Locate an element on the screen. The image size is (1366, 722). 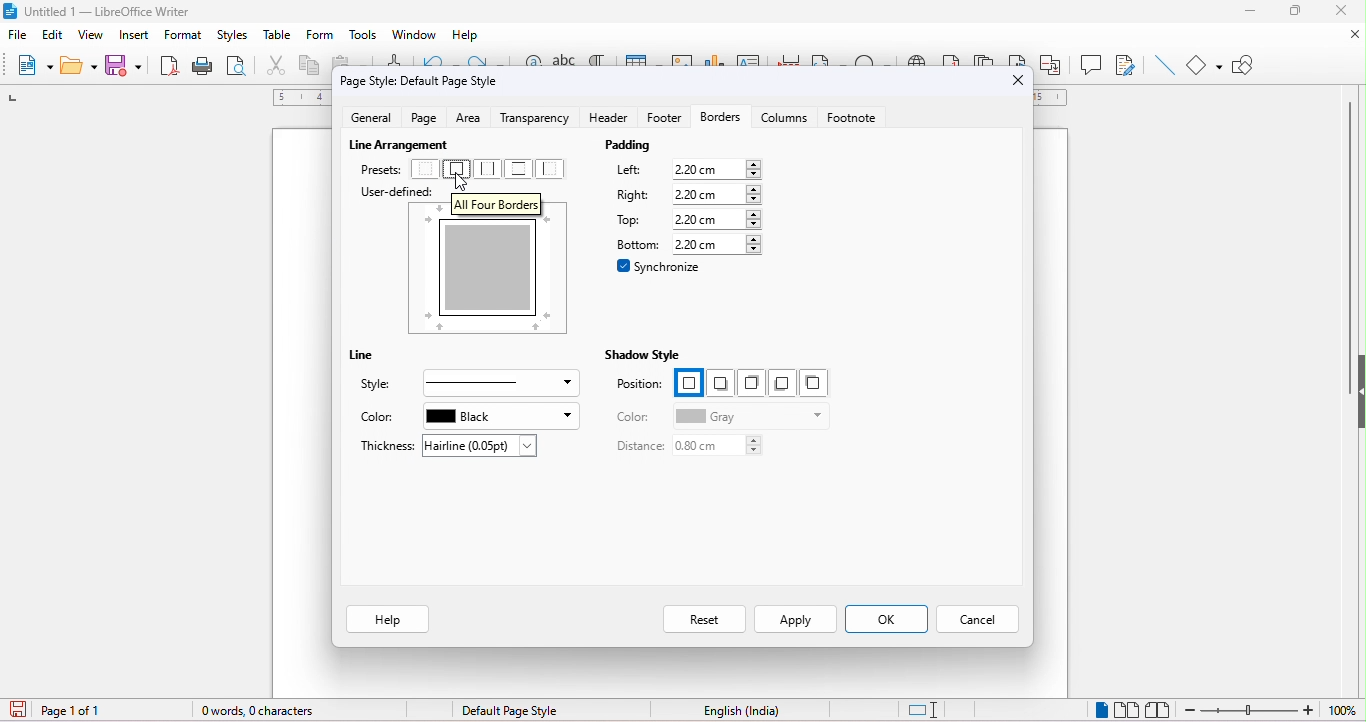
close is located at coordinates (1346, 11).